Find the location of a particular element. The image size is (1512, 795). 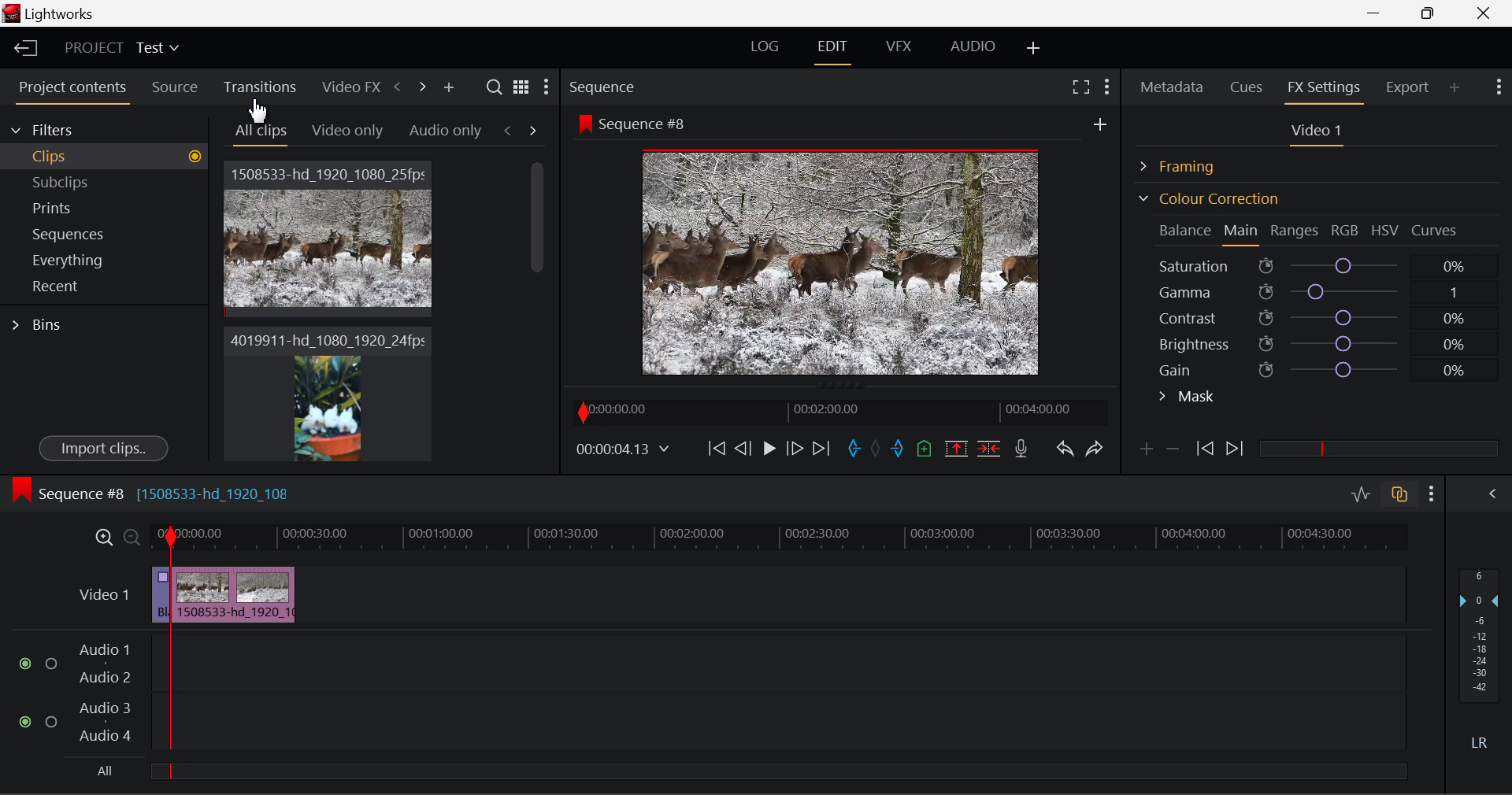

Background changed is located at coordinates (845, 248).